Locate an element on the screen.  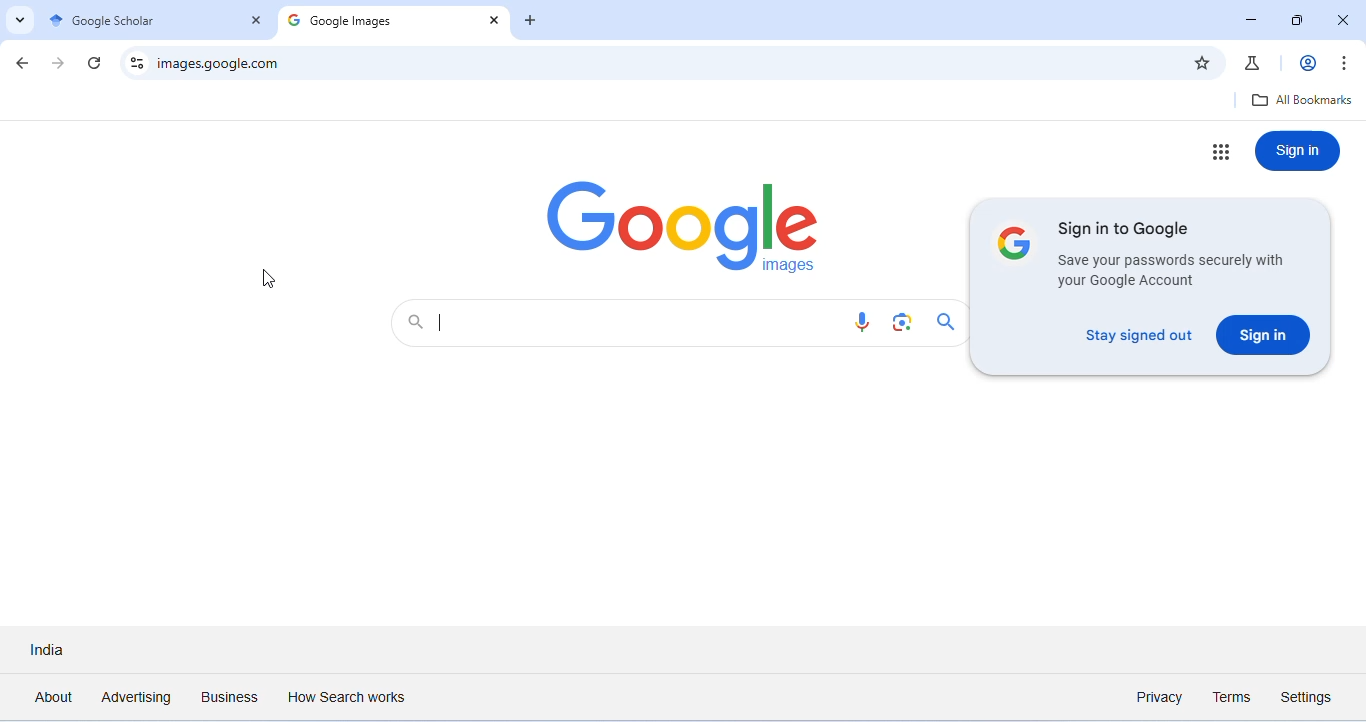
google scholar is located at coordinates (138, 21).